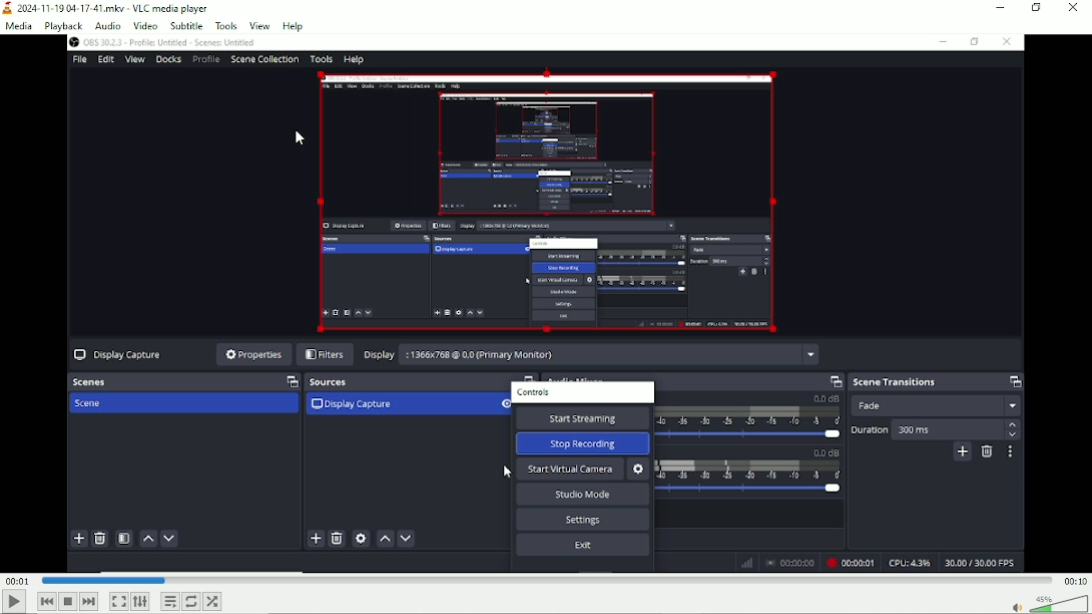 This screenshot has height=614, width=1092. Describe the element at coordinates (170, 601) in the screenshot. I see `Toggle playlist` at that location.